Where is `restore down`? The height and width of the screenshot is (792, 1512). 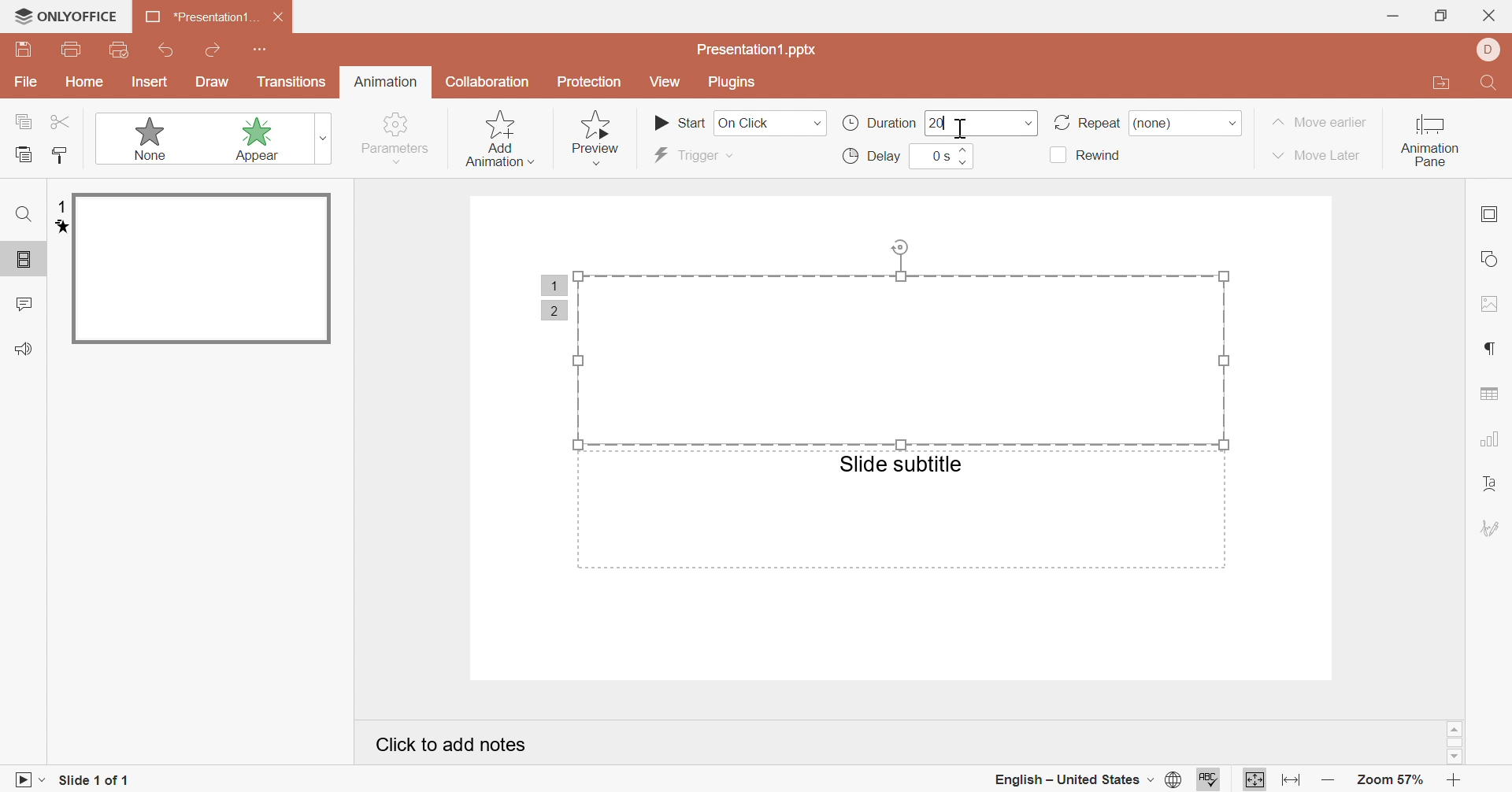
restore down is located at coordinates (1439, 15).